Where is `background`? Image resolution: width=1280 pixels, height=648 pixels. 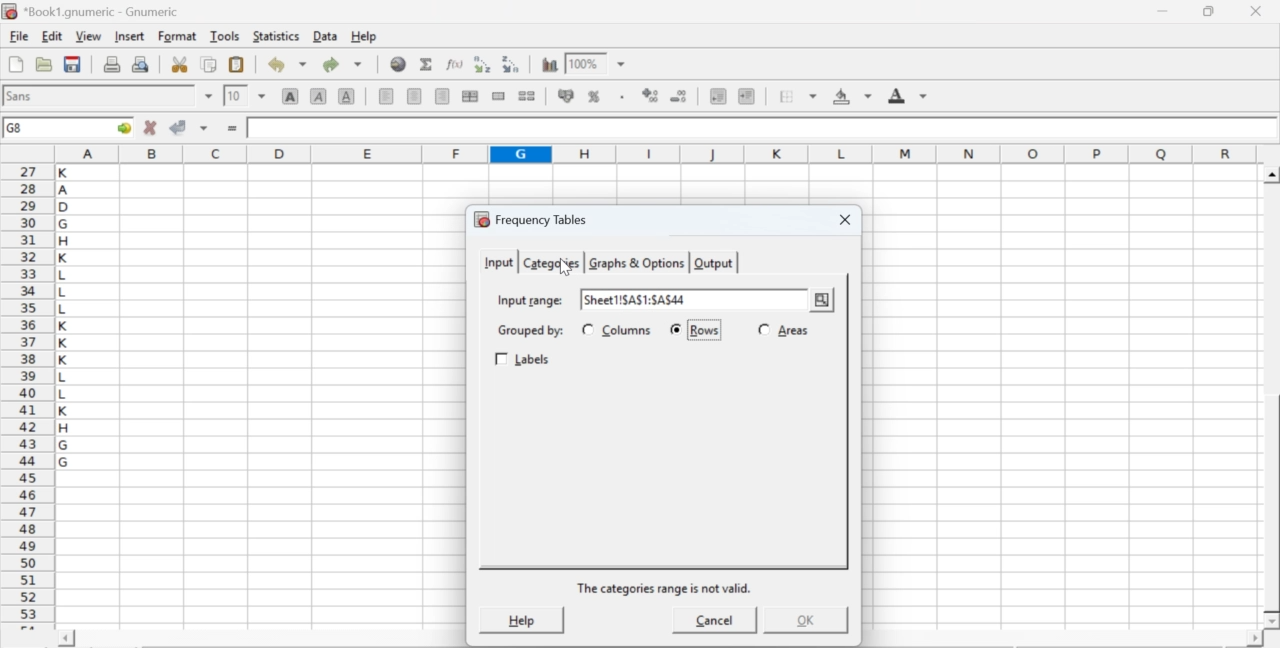
background is located at coordinates (854, 96).